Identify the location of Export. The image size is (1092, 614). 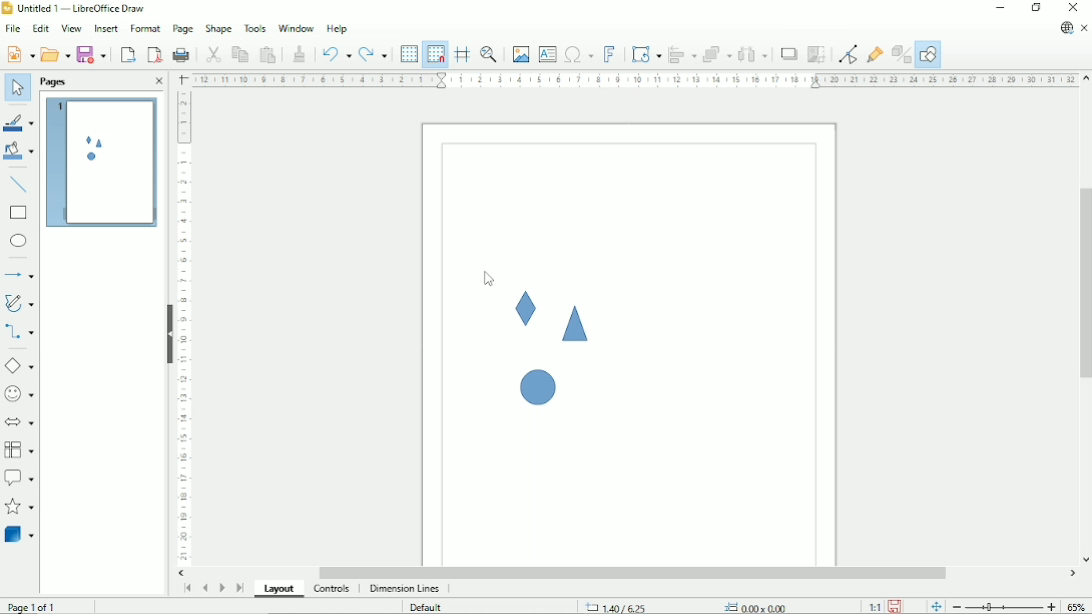
(127, 54).